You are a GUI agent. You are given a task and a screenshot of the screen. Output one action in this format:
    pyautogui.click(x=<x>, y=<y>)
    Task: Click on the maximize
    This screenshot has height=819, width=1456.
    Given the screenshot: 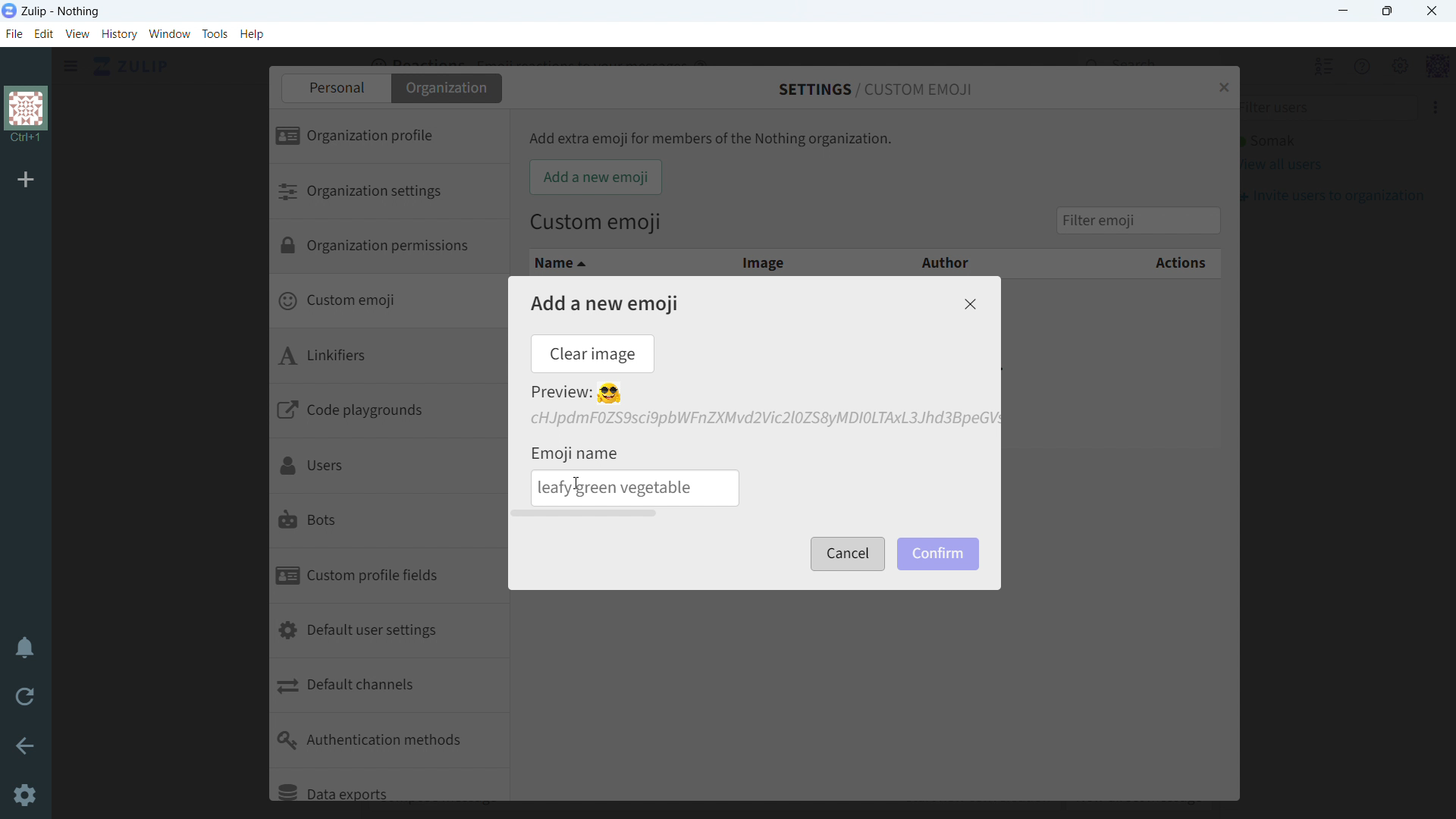 What is the action you would take?
    pyautogui.click(x=1388, y=11)
    